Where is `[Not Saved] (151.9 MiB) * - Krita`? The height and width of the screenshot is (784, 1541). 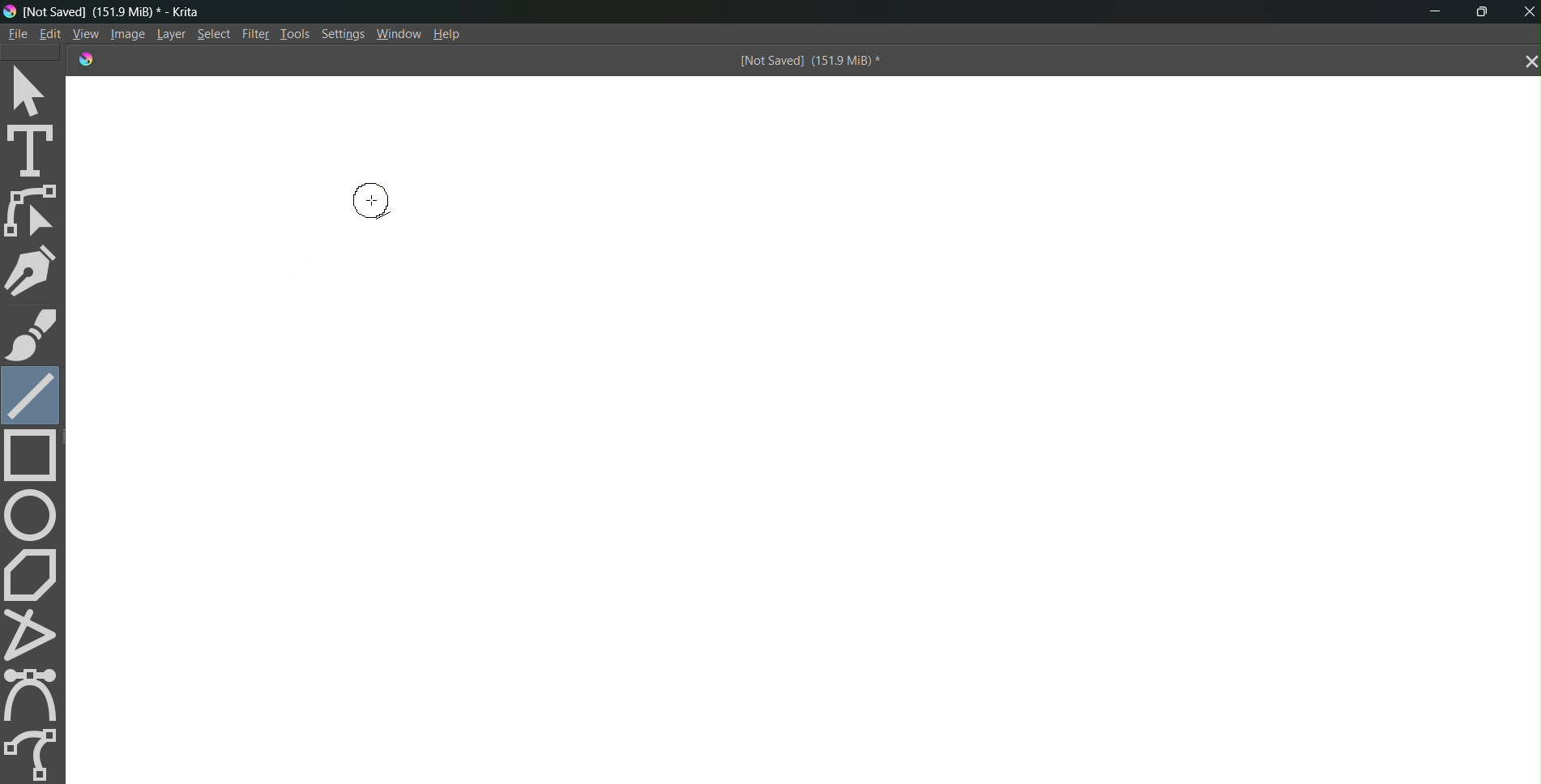
[Not Saved] (151.9 MiB) * - Krita is located at coordinates (122, 11).